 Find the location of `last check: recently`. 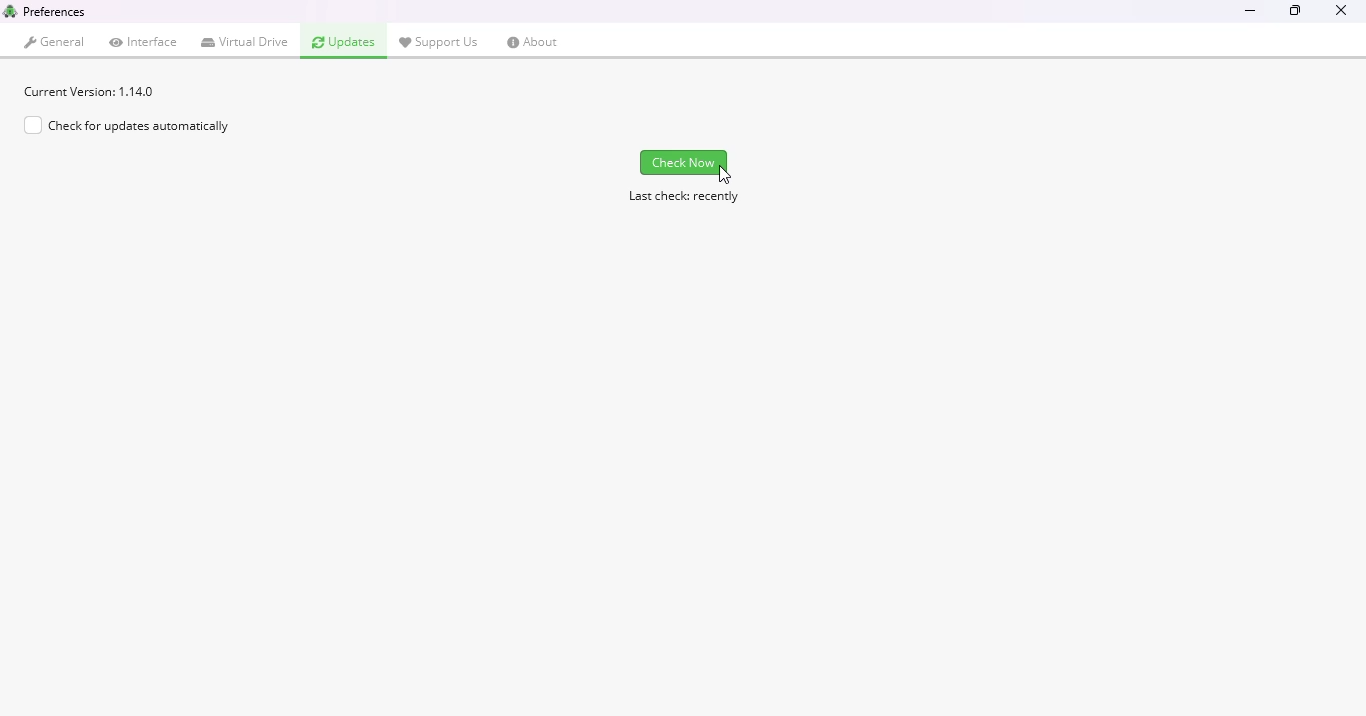

last check: recently is located at coordinates (684, 197).